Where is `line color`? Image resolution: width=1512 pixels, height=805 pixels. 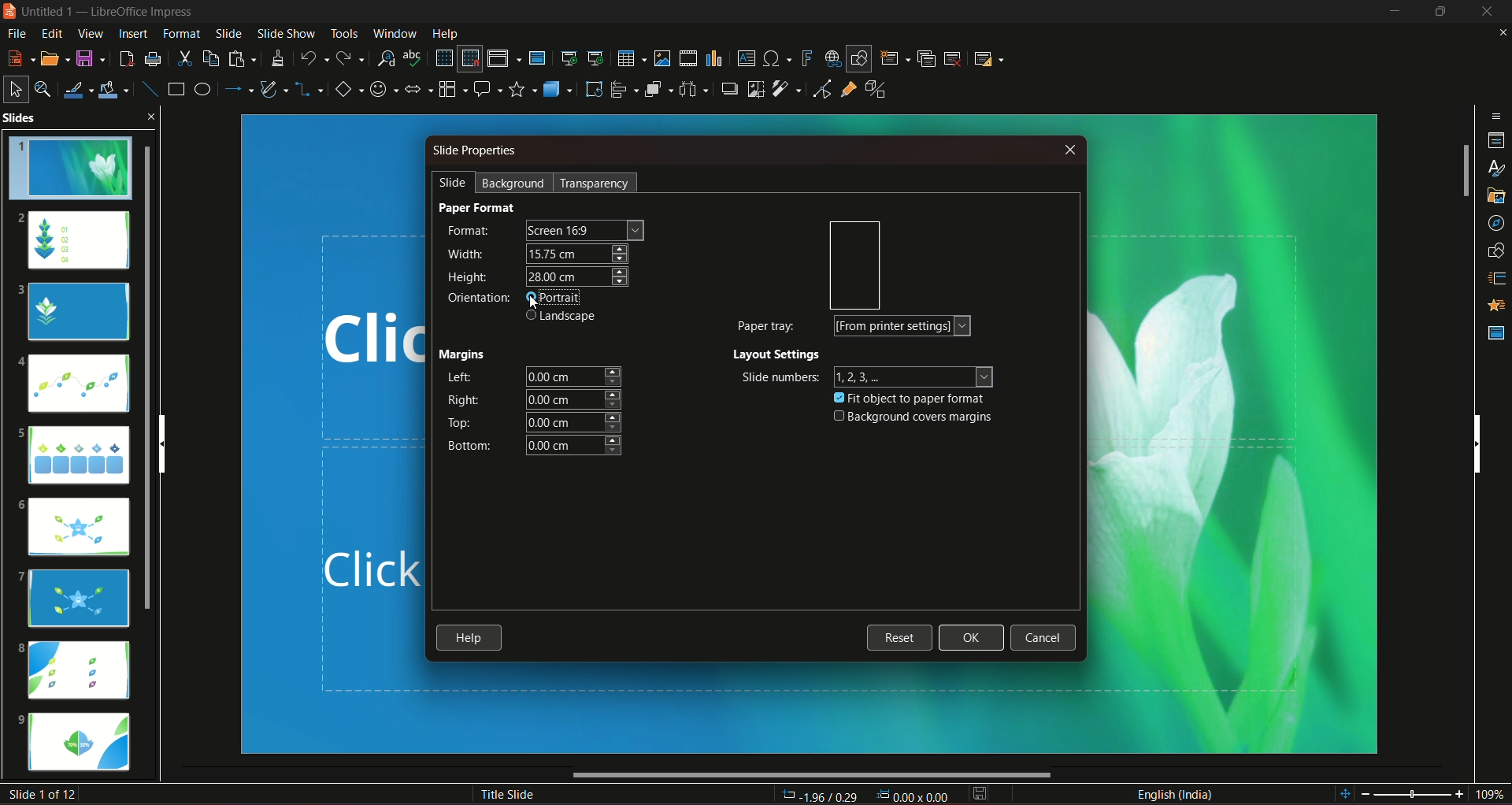
line color is located at coordinates (80, 88).